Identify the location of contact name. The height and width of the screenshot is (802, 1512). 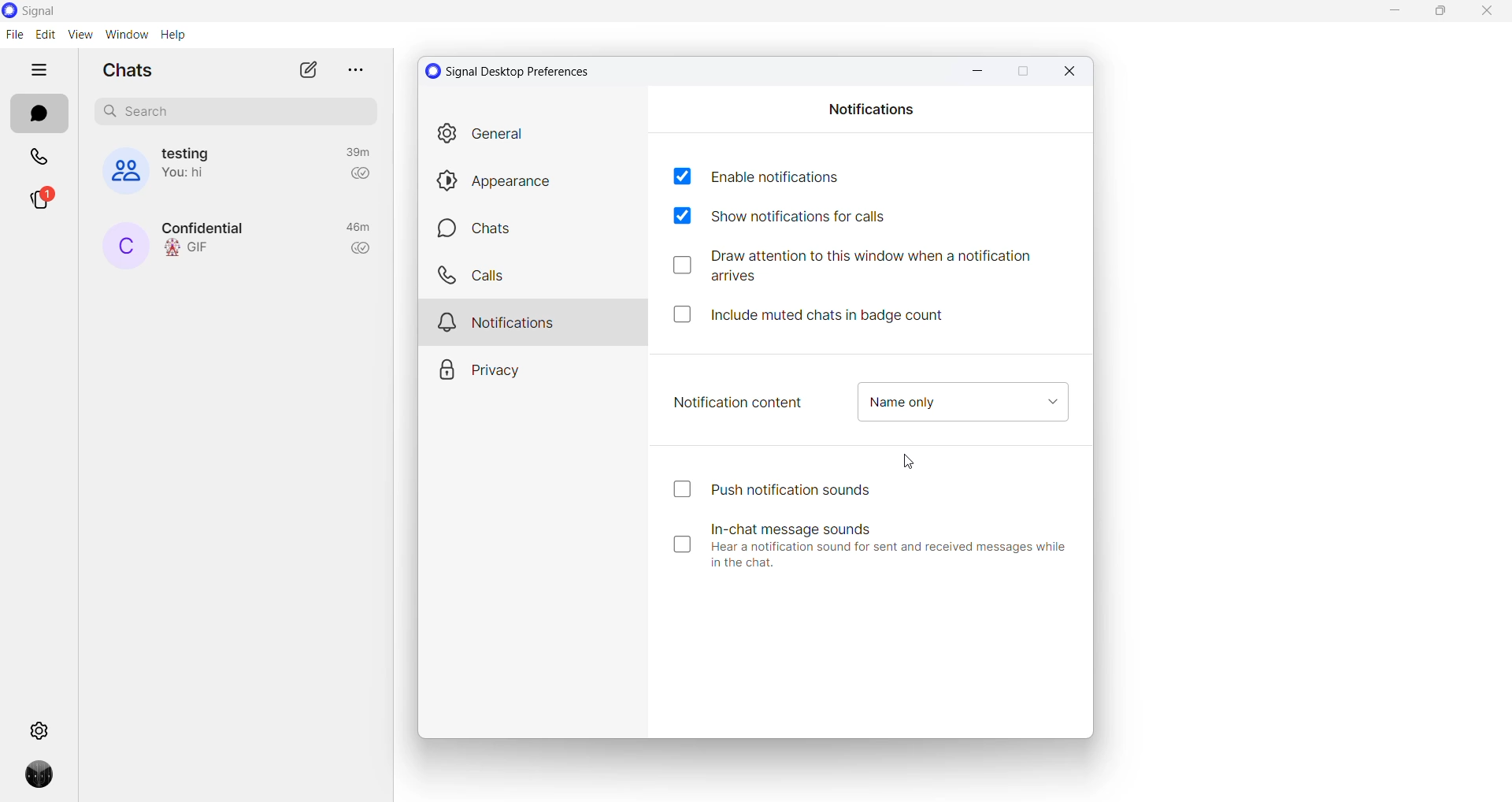
(210, 227).